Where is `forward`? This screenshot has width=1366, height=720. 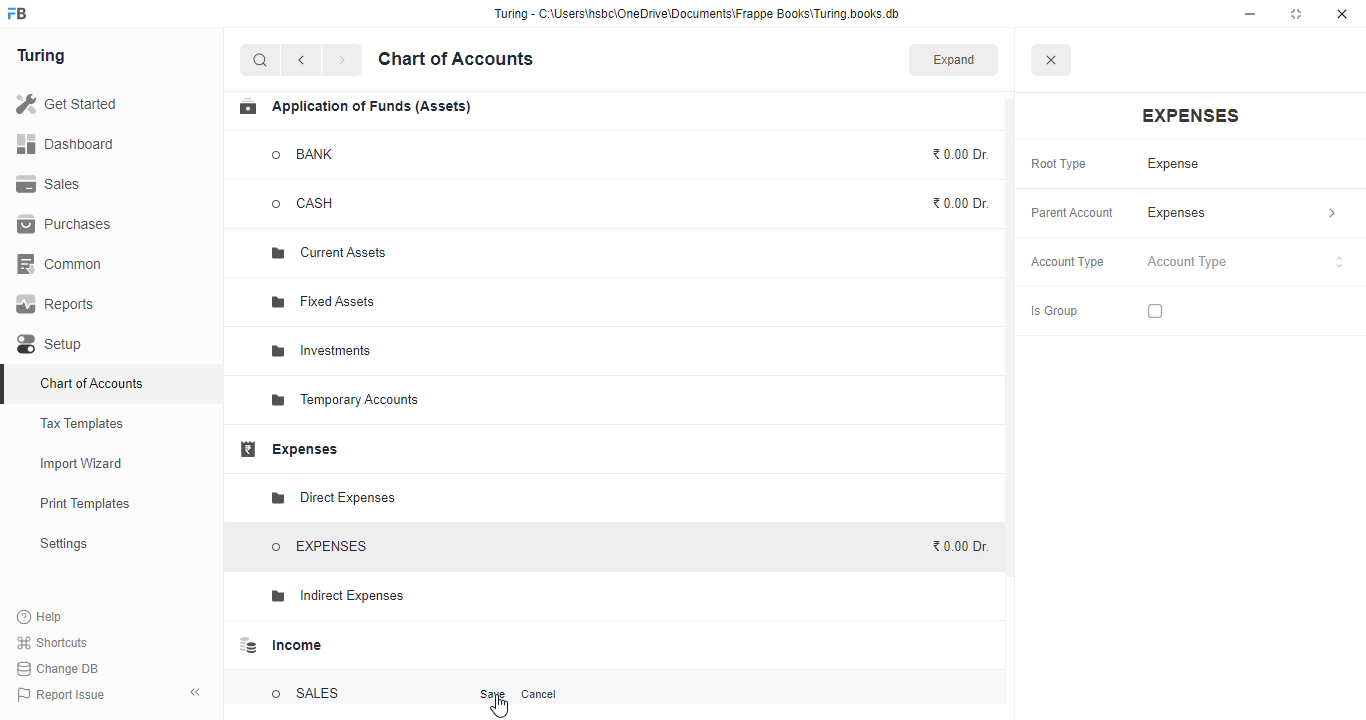 forward is located at coordinates (342, 60).